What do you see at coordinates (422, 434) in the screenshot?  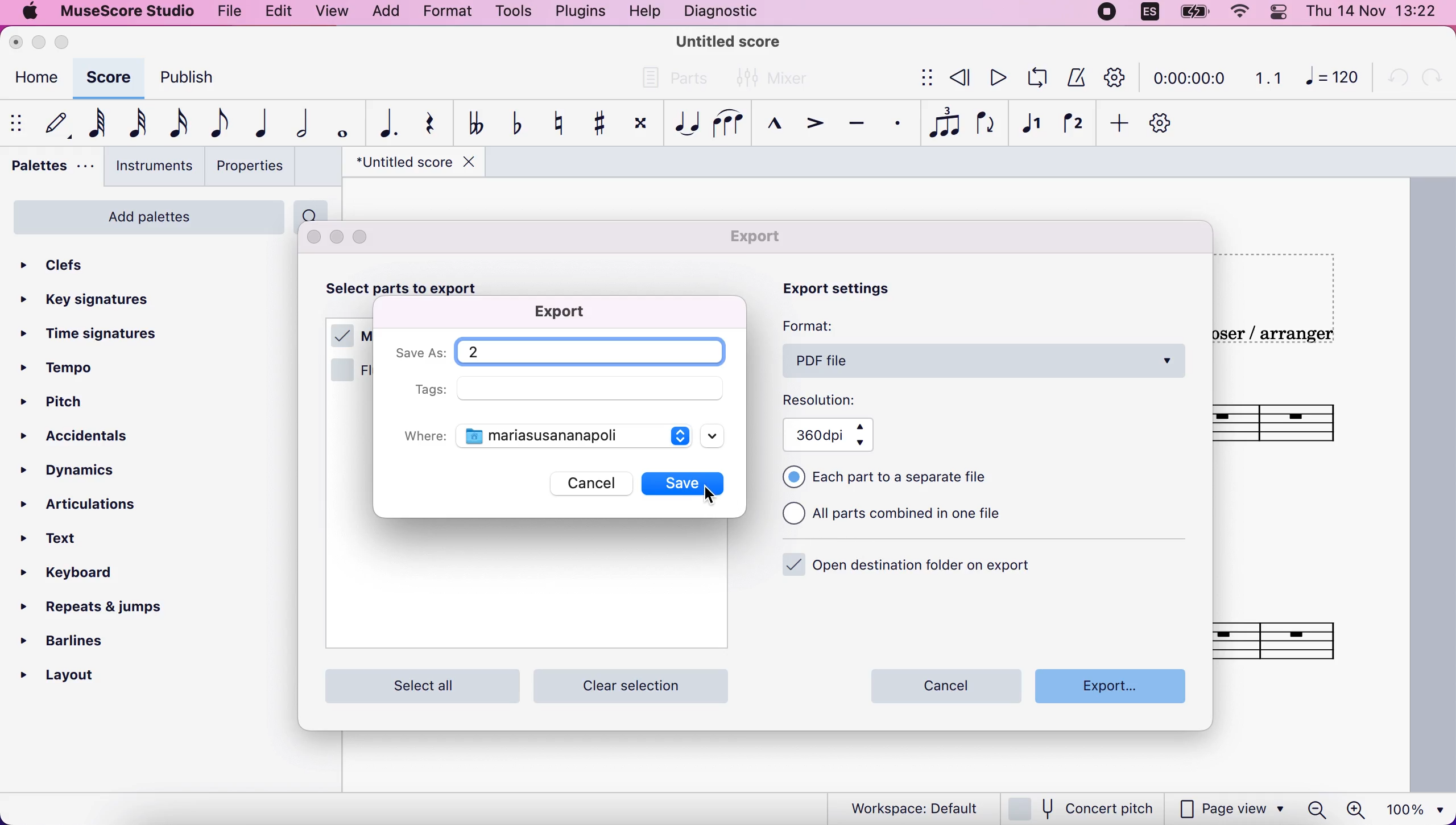 I see `where` at bounding box center [422, 434].